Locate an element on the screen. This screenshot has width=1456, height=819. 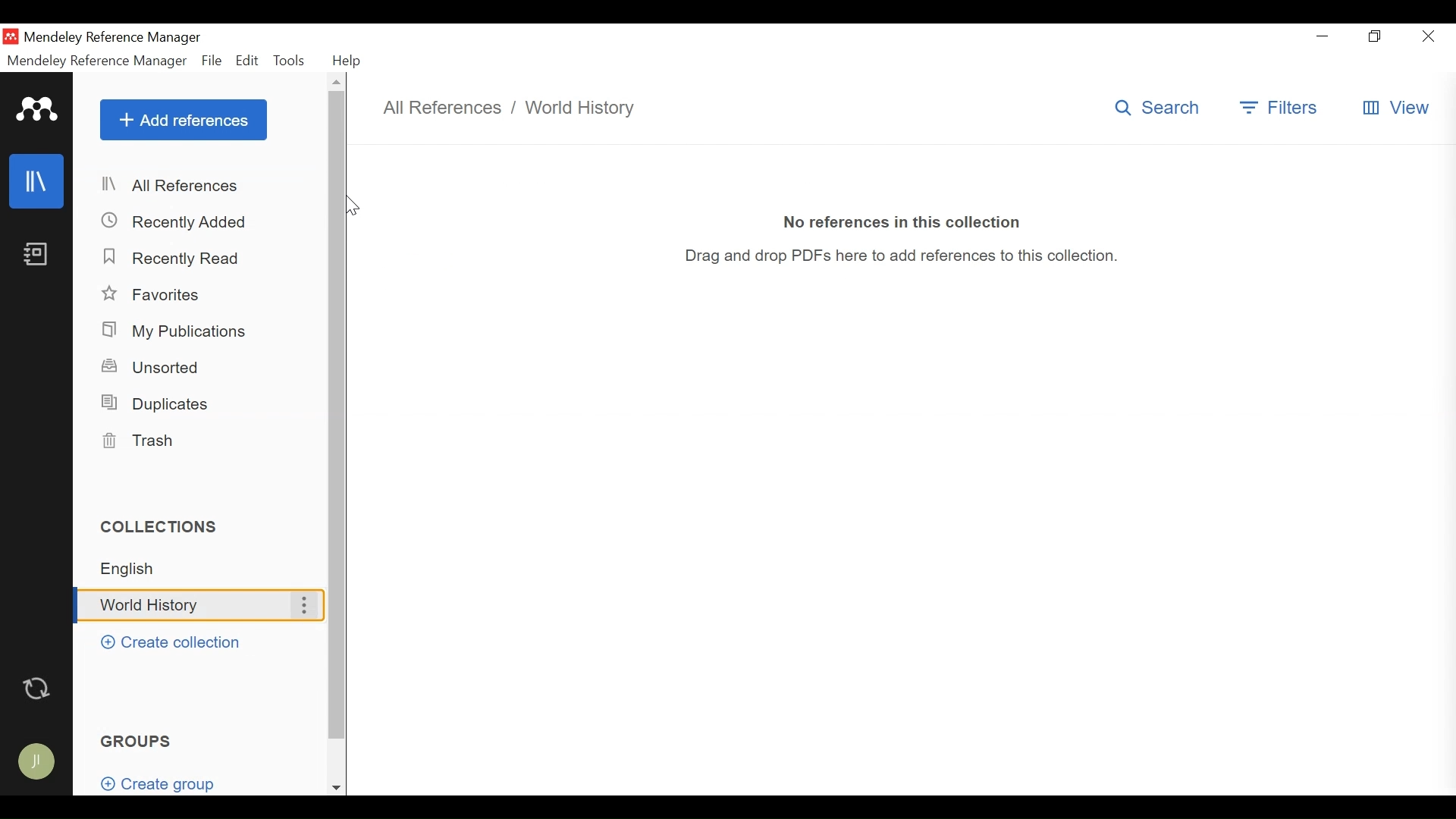
Recently Added is located at coordinates (174, 221).